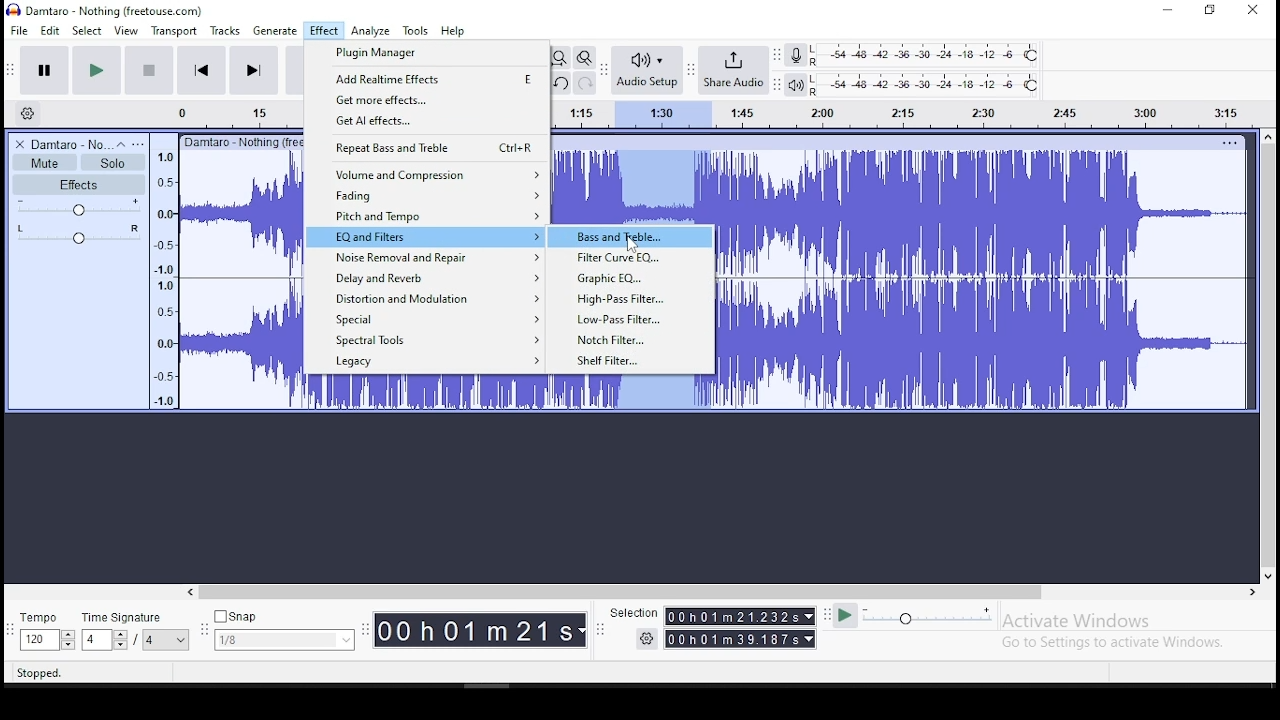 The image size is (1280, 720). Describe the element at coordinates (927, 54) in the screenshot. I see `recording level` at that location.